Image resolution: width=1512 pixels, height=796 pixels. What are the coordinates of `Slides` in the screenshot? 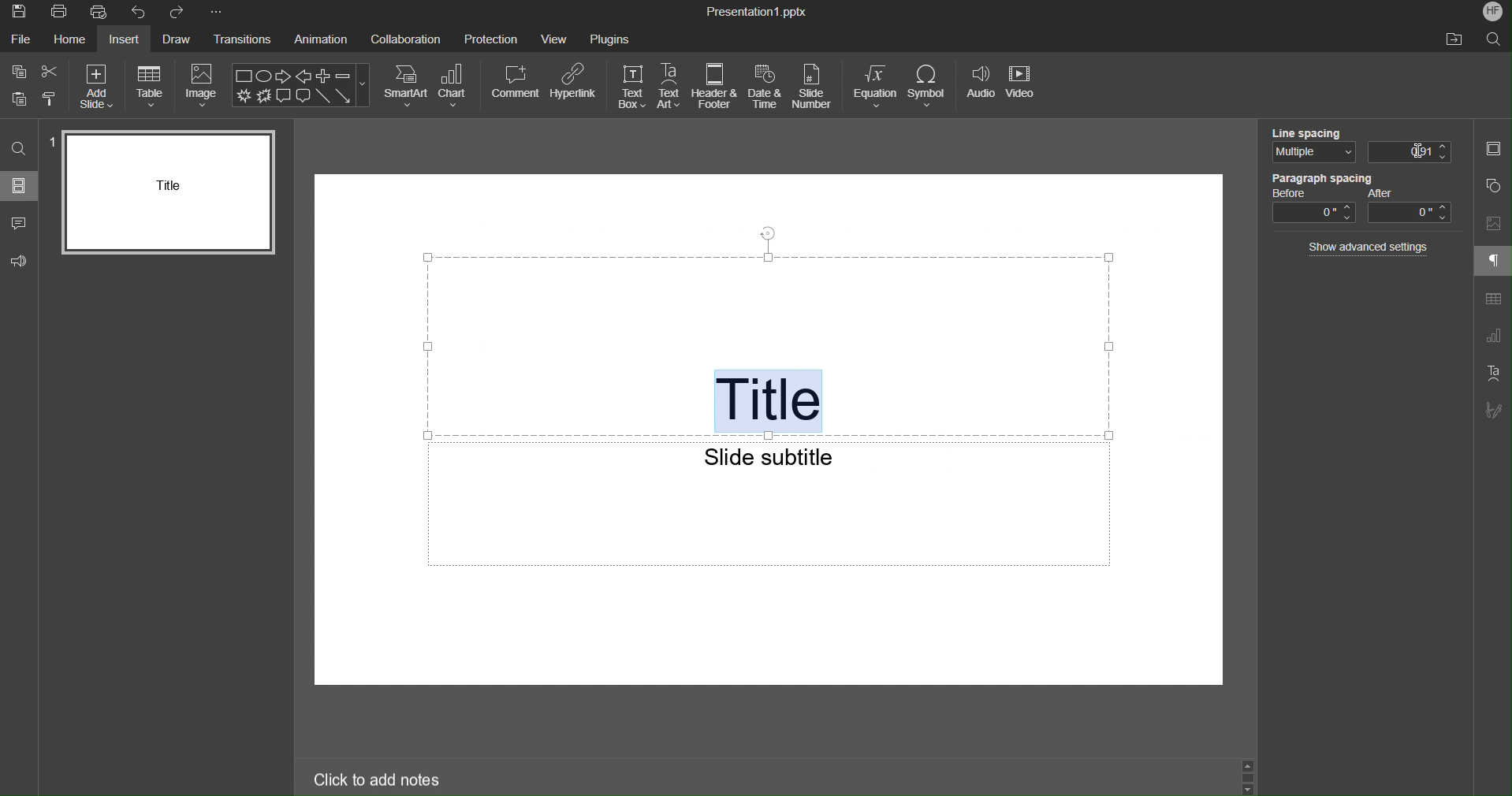 It's located at (19, 184).